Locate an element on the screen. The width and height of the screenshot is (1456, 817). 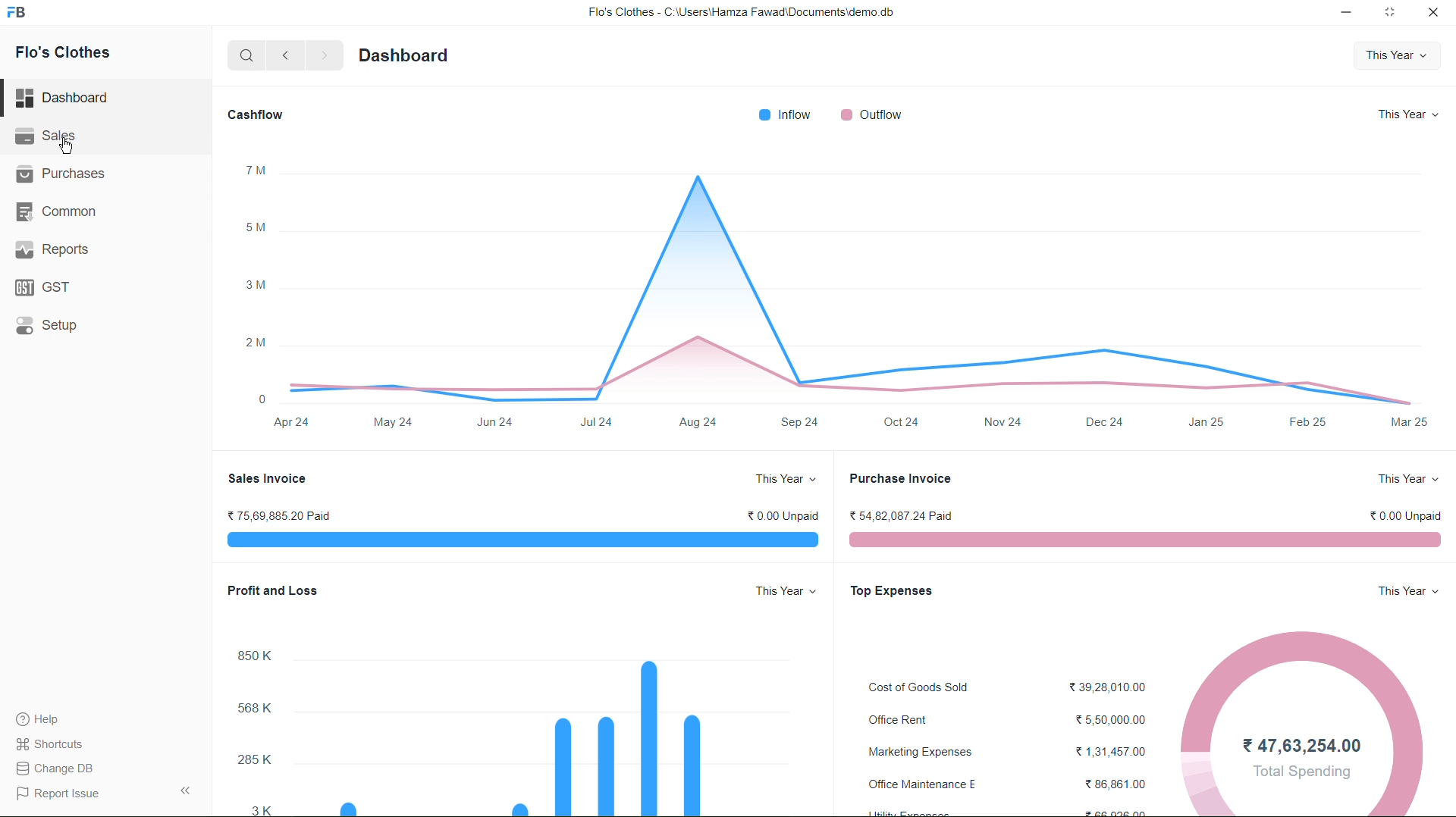
close is located at coordinates (1429, 13).